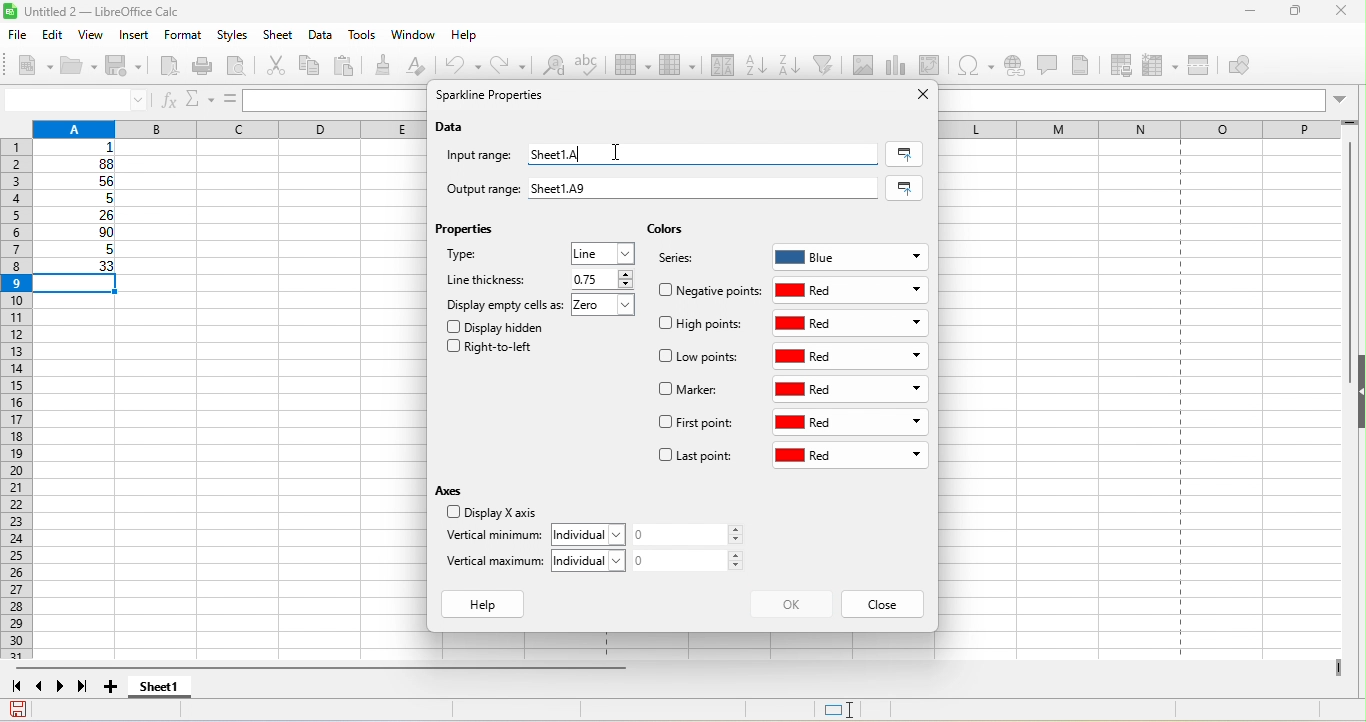  What do you see at coordinates (696, 425) in the screenshot?
I see `first point` at bounding box center [696, 425].